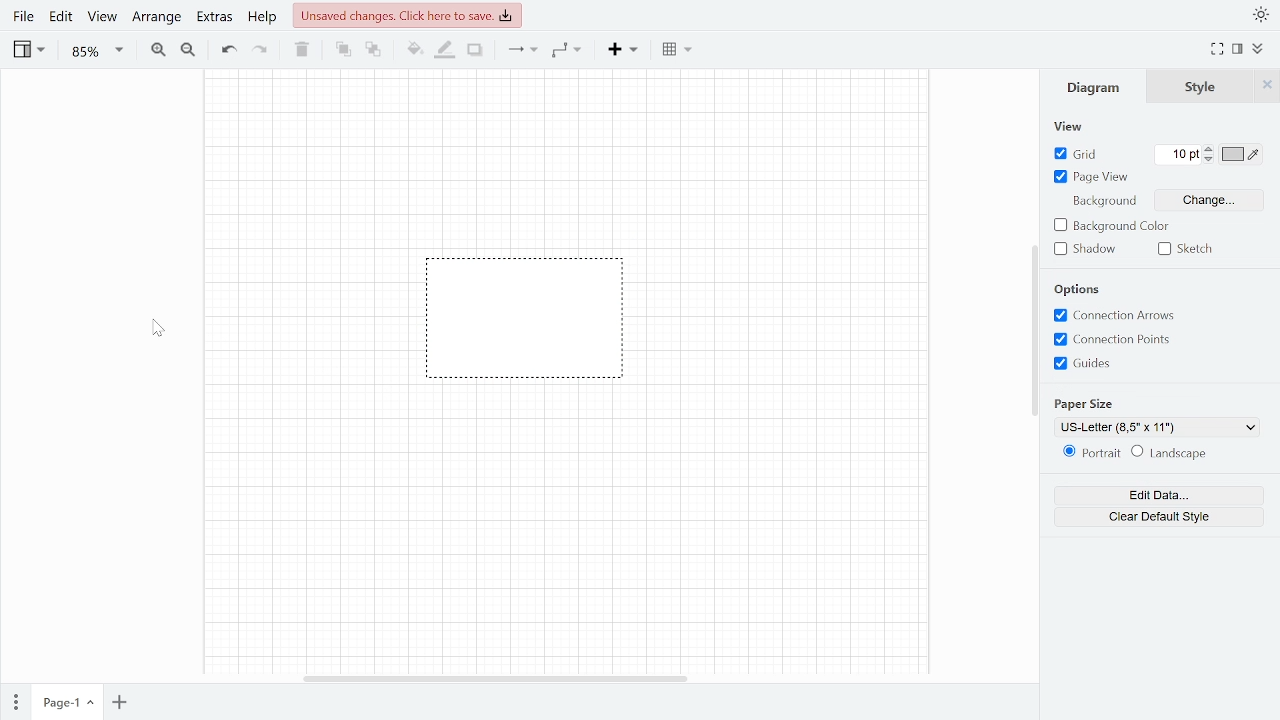  What do you see at coordinates (1259, 49) in the screenshot?
I see `Collapse` at bounding box center [1259, 49].